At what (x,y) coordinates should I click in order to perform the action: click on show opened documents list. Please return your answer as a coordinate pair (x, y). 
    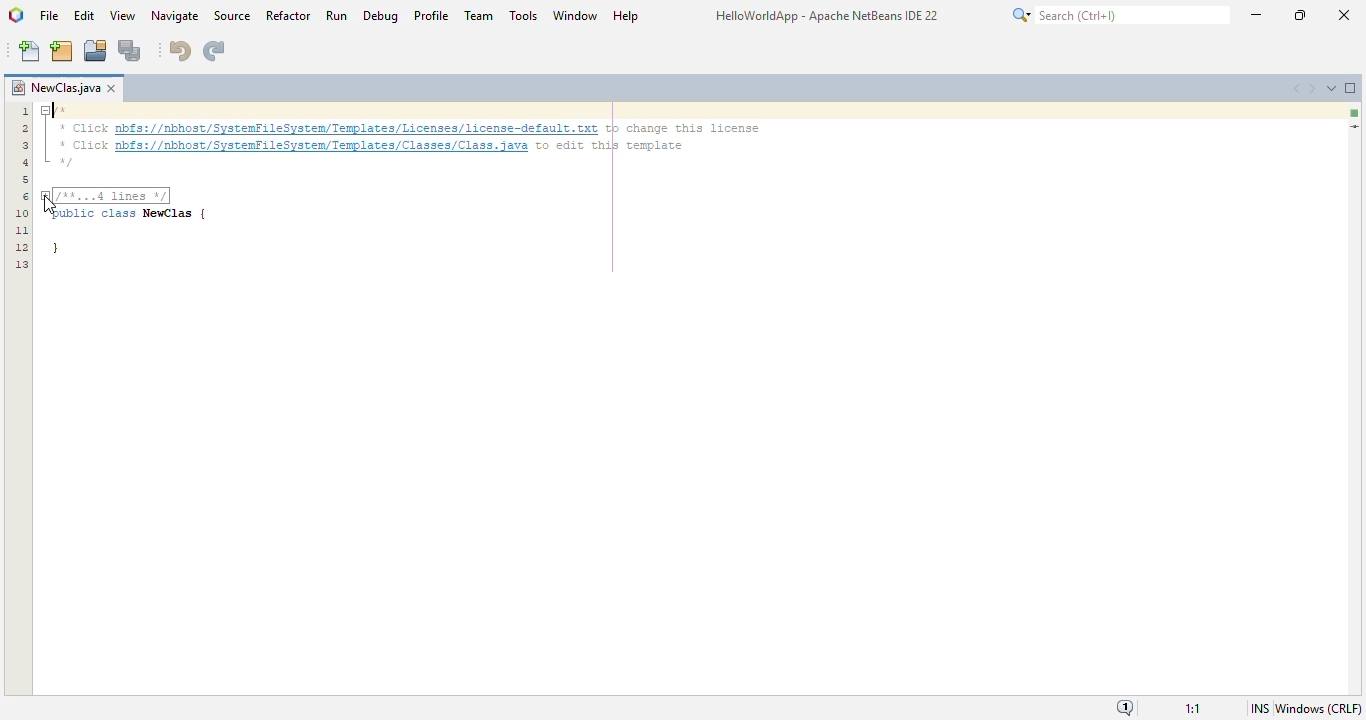
    Looking at the image, I should click on (1330, 87).